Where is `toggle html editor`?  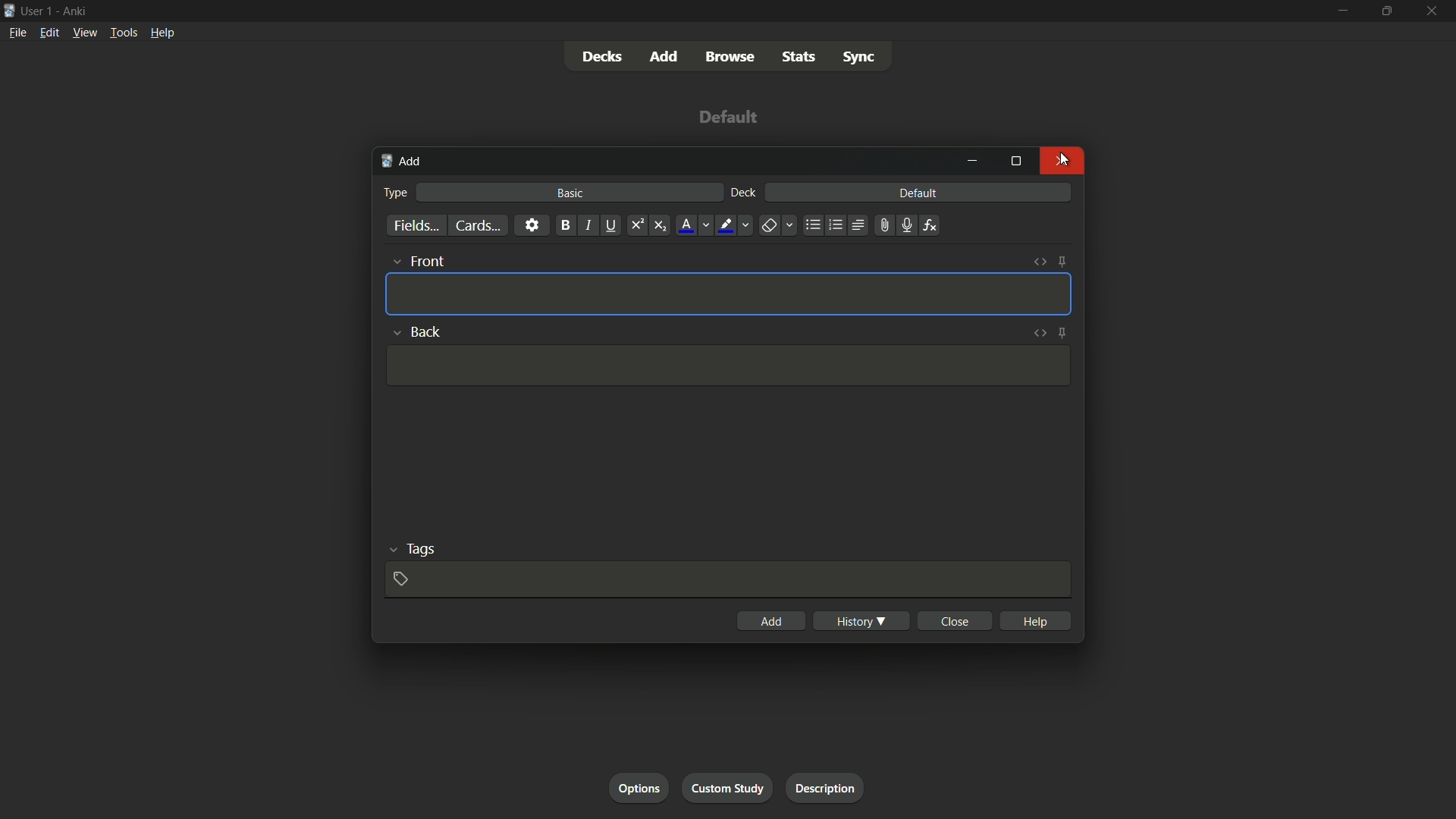
toggle html editor is located at coordinates (1040, 261).